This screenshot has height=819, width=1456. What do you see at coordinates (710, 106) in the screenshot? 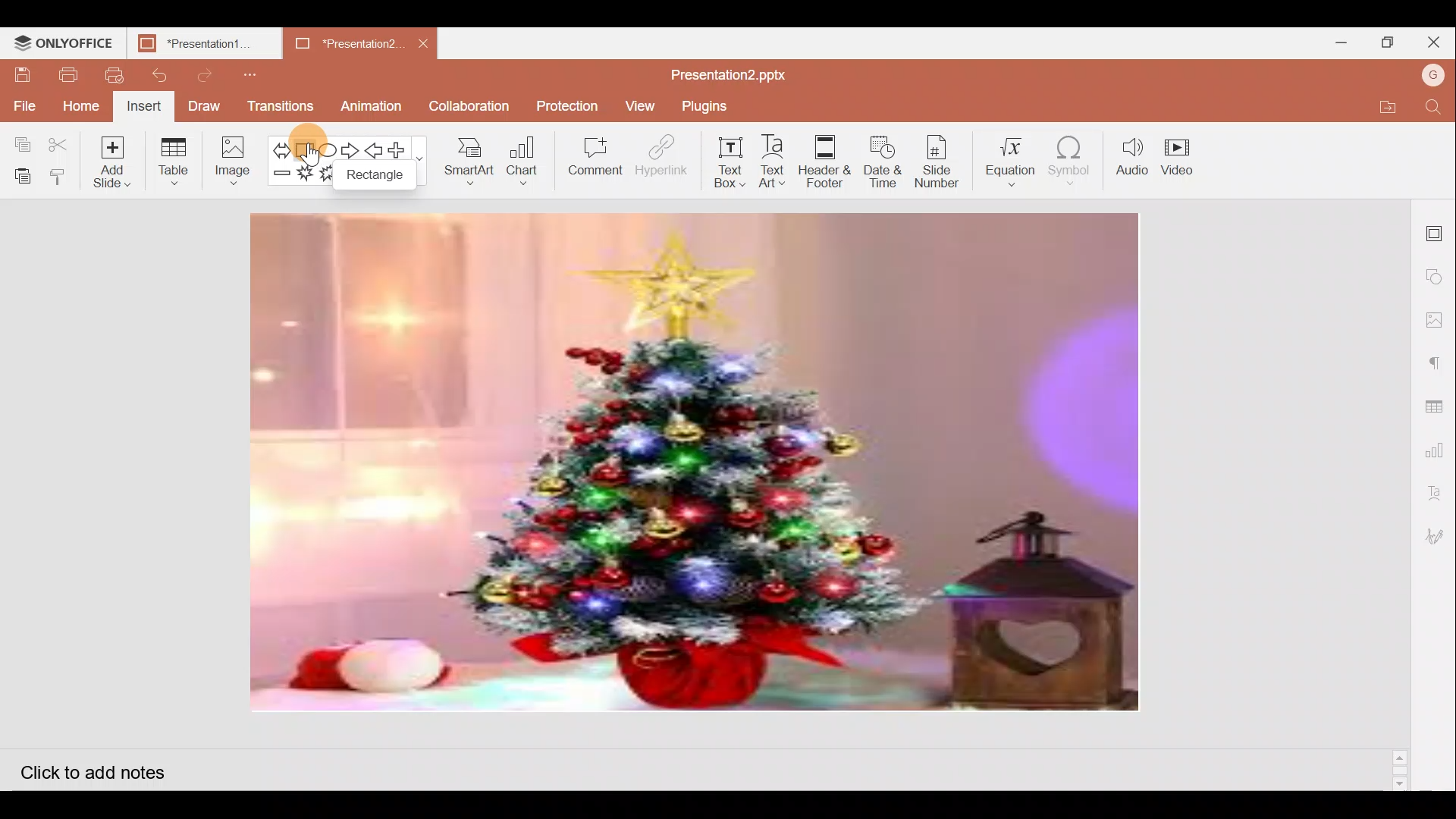
I see `Plugins` at bounding box center [710, 106].